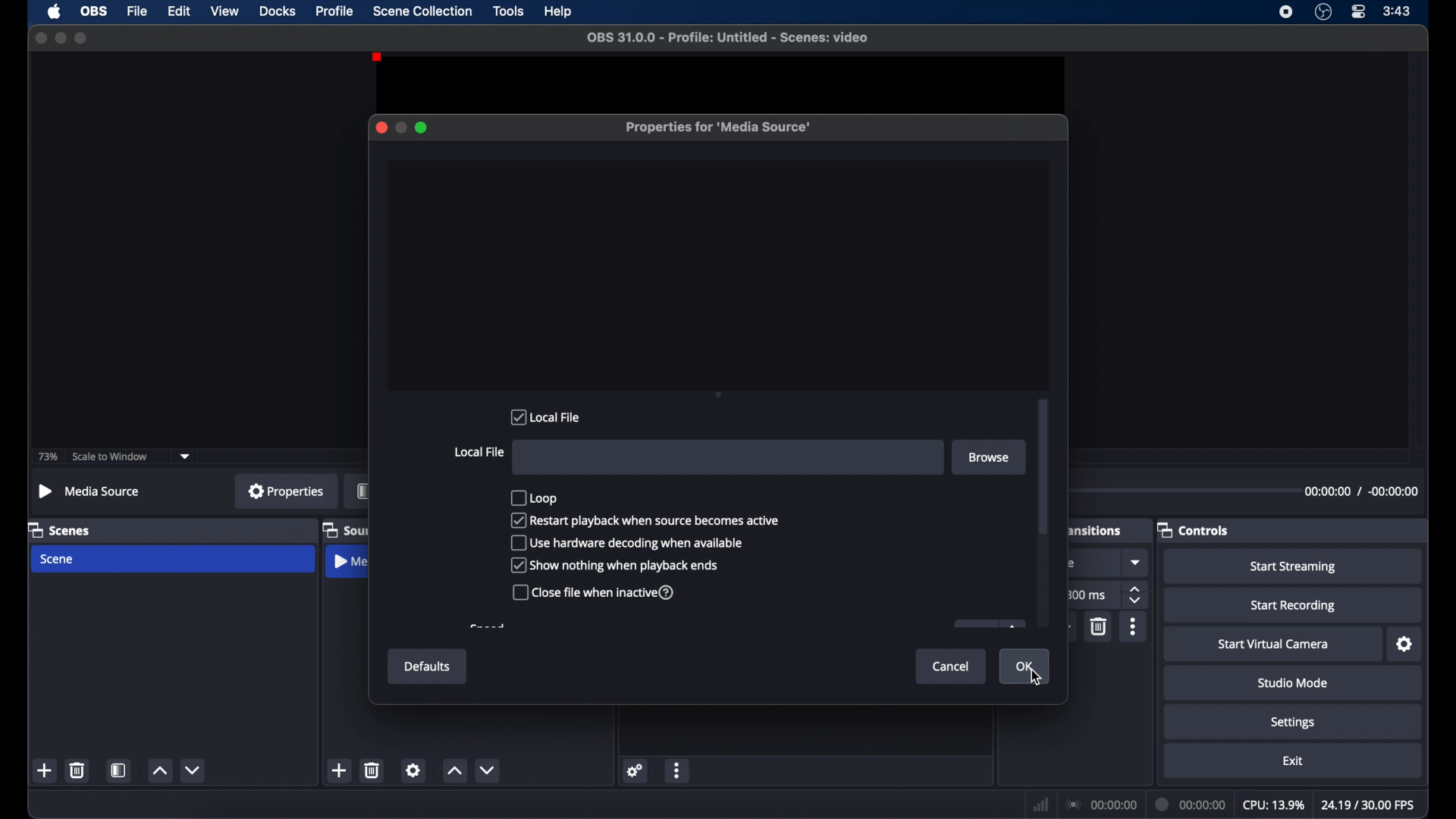 This screenshot has height=819, width=1456. Describe the element at coordinates (278, 11) in the screenshot. I see `docks` at that location.